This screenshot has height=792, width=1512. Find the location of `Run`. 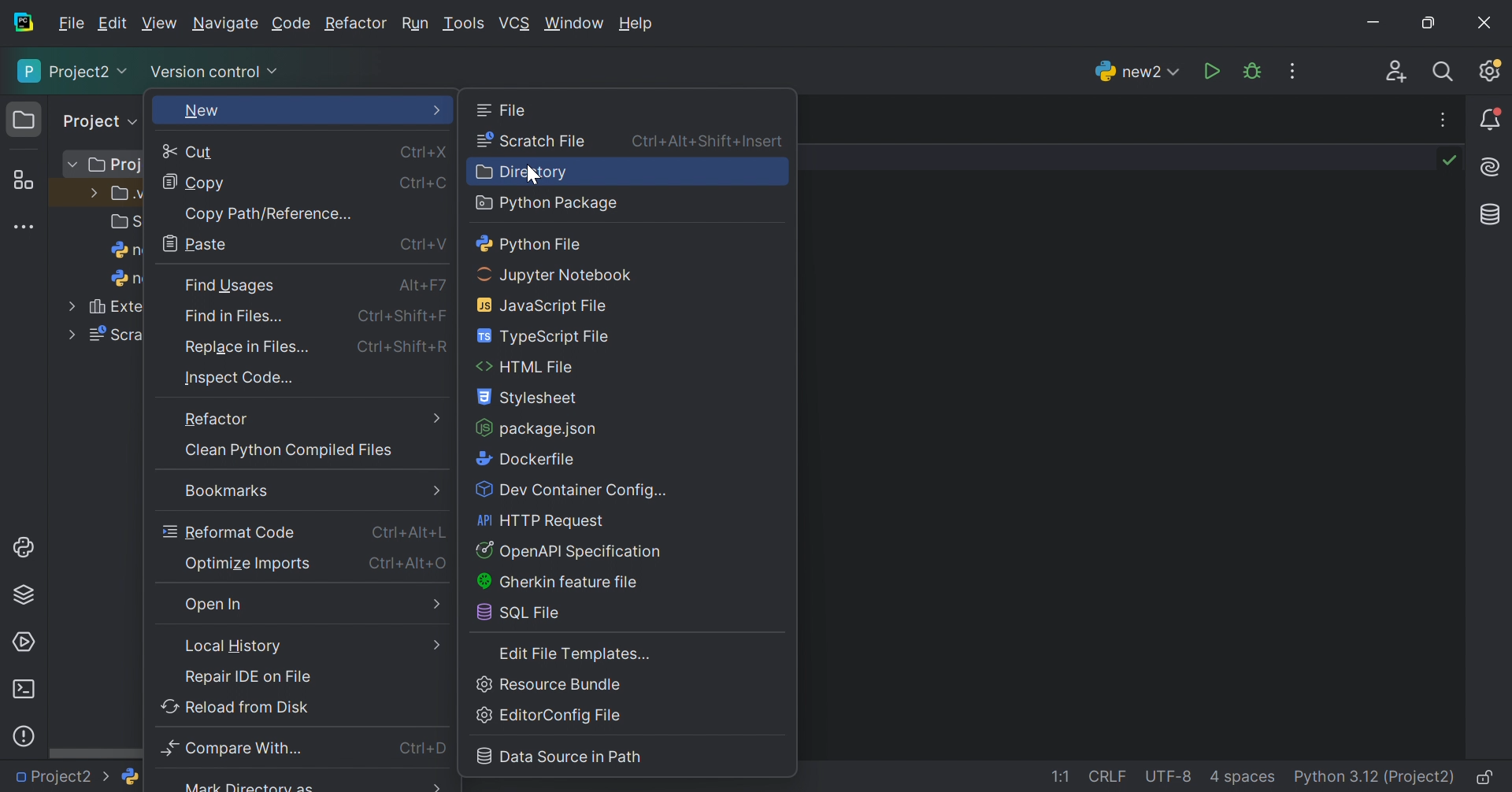

Run is located at coordinates (418, 24).